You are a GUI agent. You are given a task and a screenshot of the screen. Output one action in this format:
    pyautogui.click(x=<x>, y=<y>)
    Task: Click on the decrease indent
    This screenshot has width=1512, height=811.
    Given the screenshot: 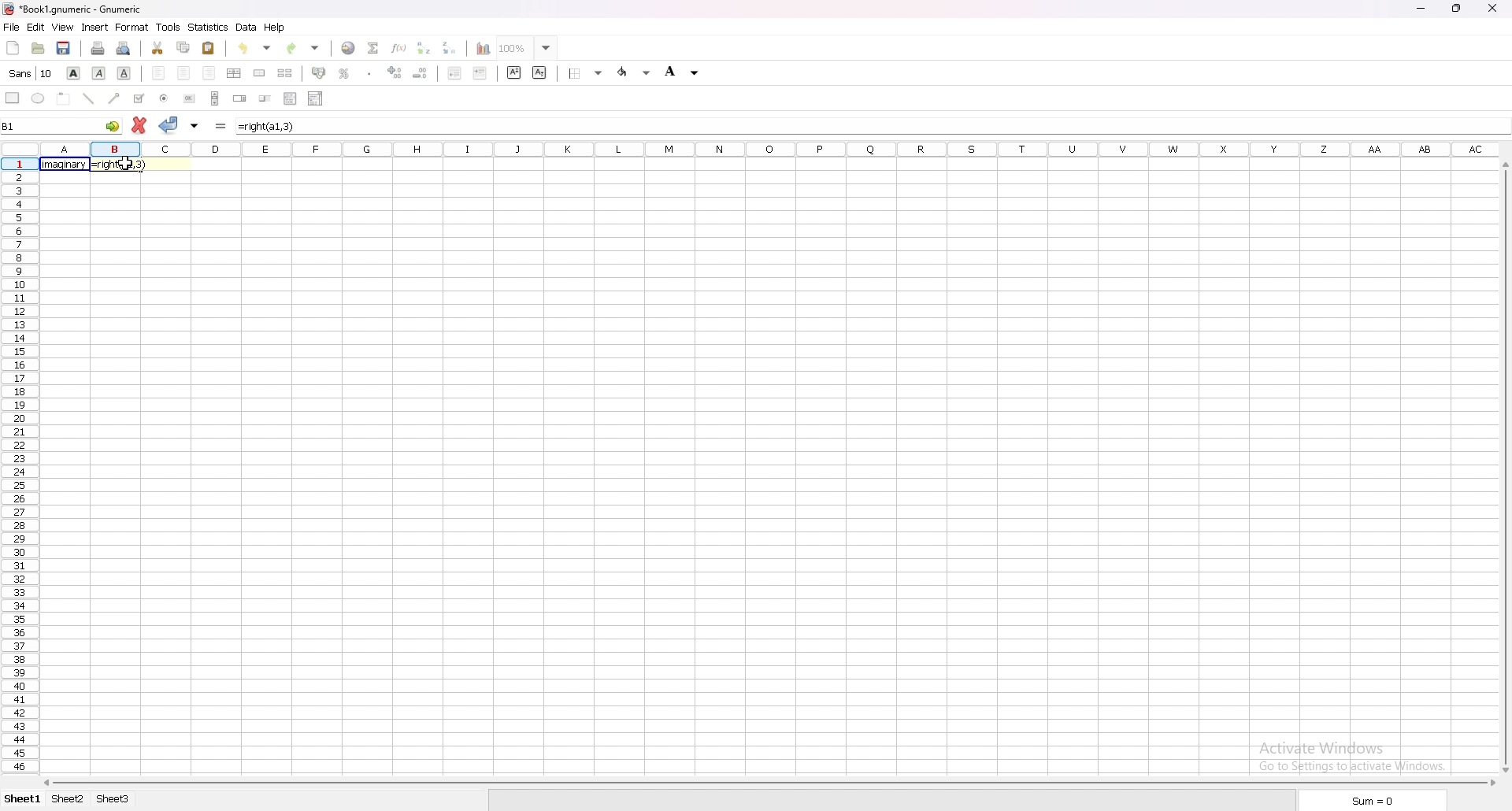 What is the action you would take?
    pyautogui.click(x=454, y=74)
    